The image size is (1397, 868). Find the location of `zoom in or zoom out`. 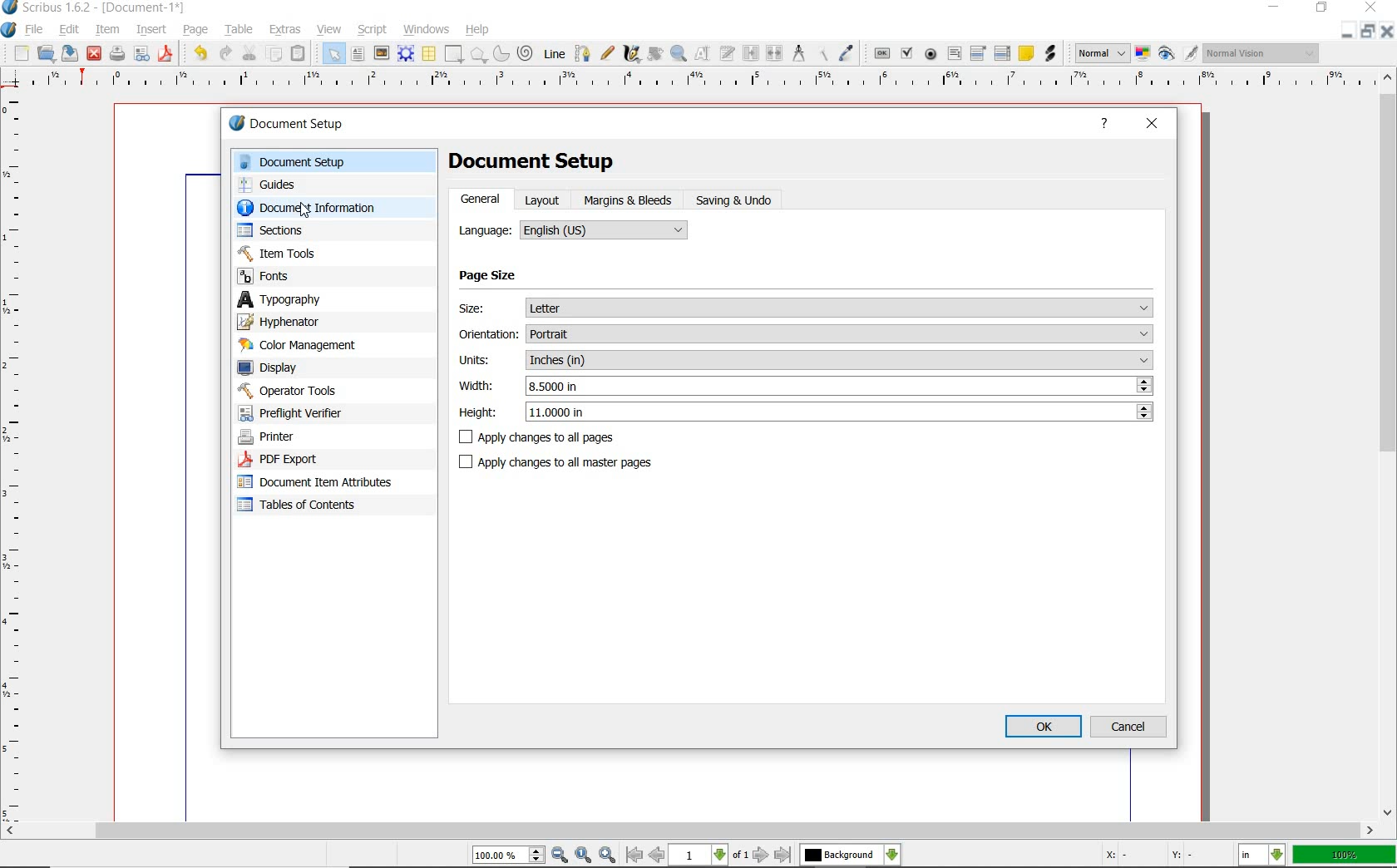

zoom in or zoom out is located at coordinates (679, 55).